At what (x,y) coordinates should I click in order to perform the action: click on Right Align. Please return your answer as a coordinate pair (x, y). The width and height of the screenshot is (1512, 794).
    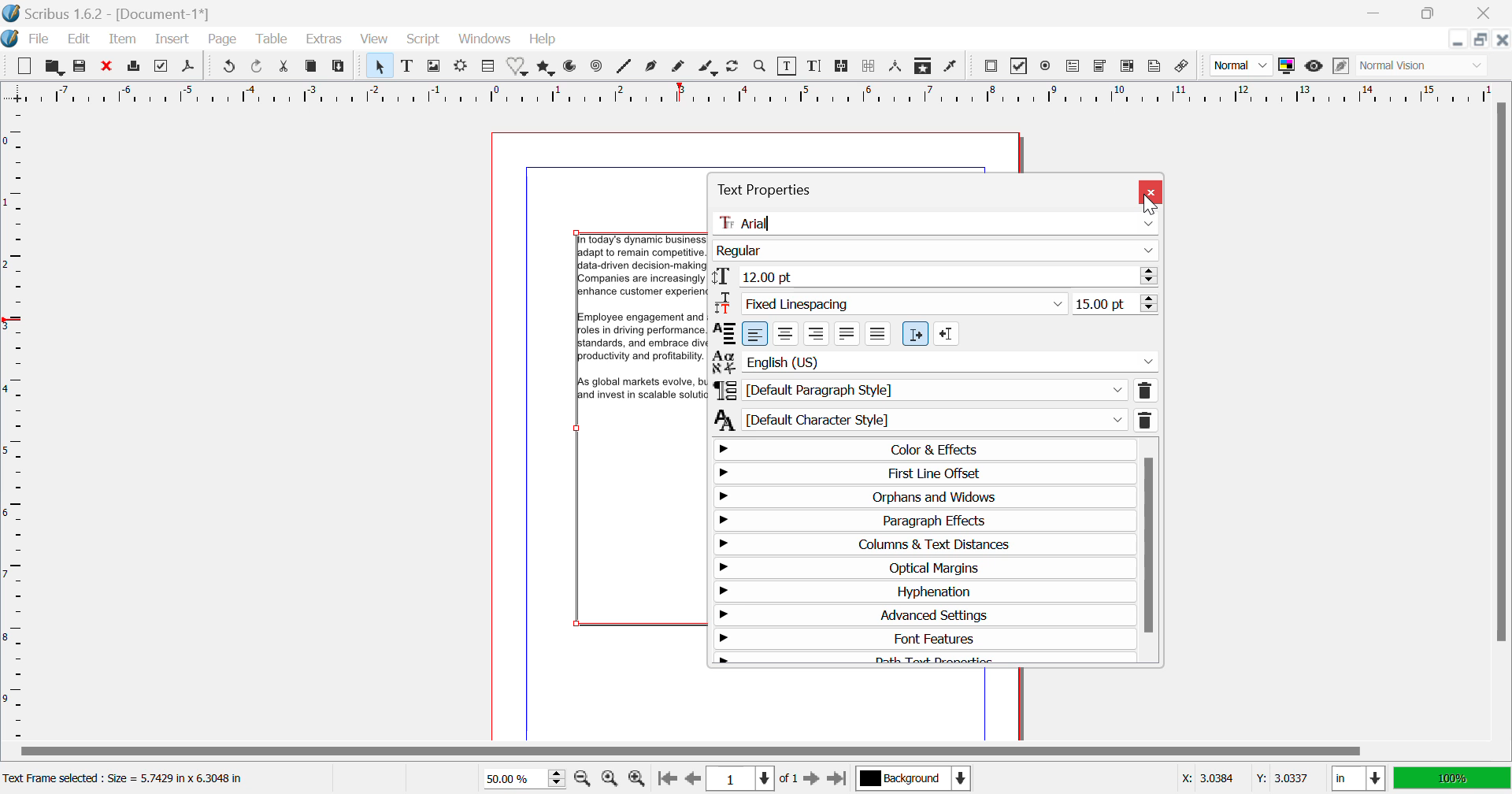
    Looking at the image, I should click on (817, 334).